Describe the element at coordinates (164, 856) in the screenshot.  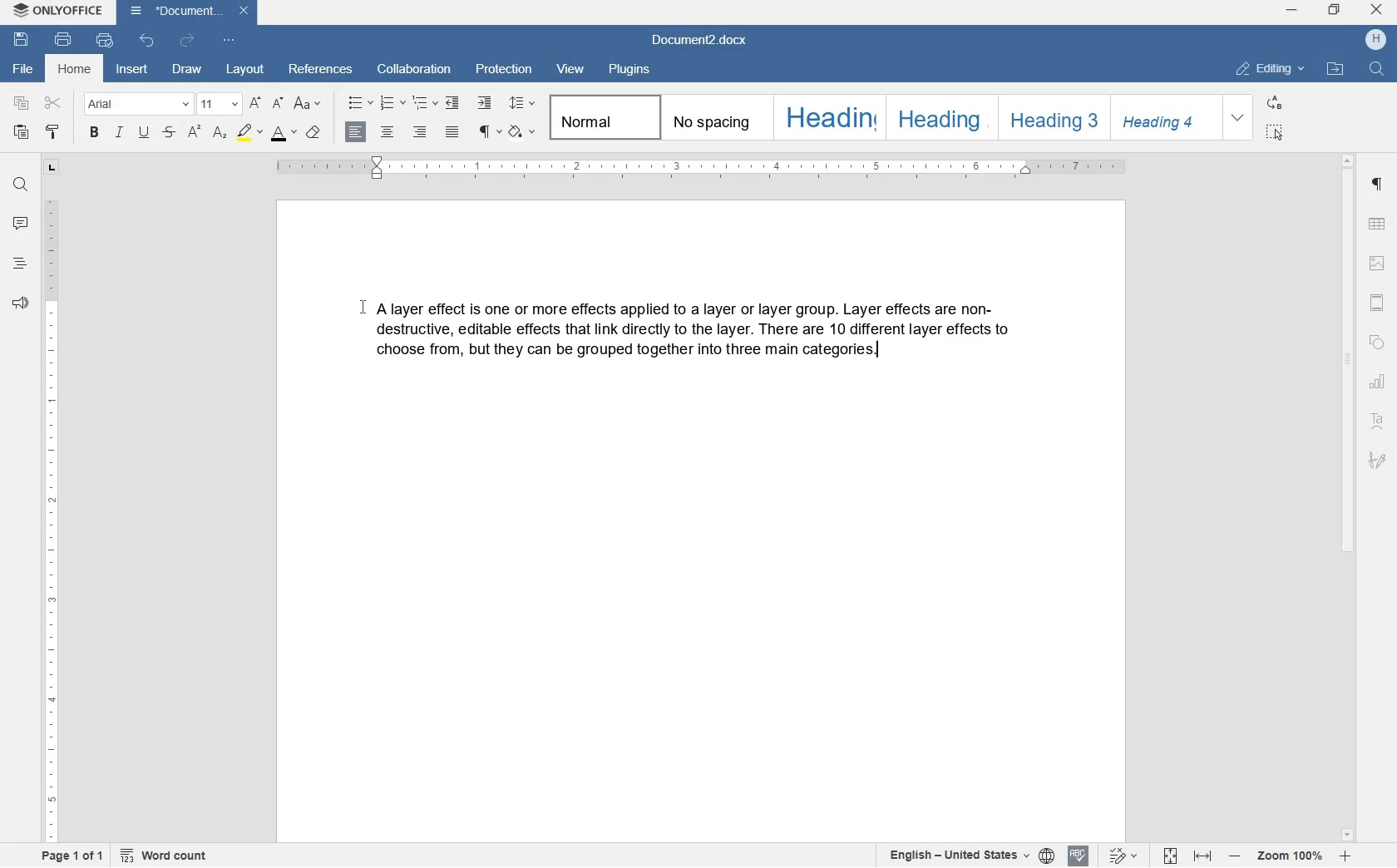
I see `word count` at that location.